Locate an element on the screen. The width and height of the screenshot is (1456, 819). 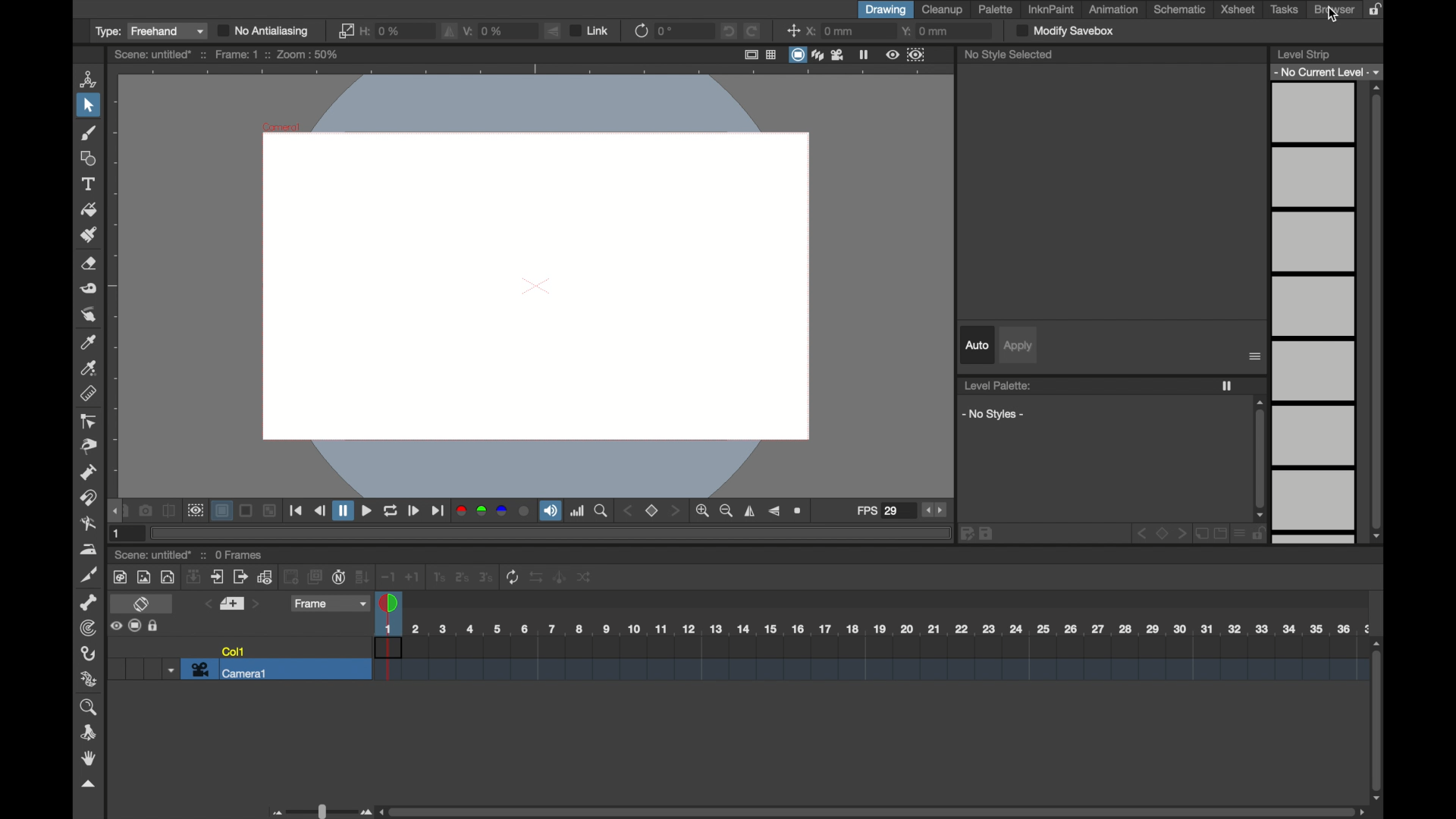
soundtrack is located at coordinates (550, 511).